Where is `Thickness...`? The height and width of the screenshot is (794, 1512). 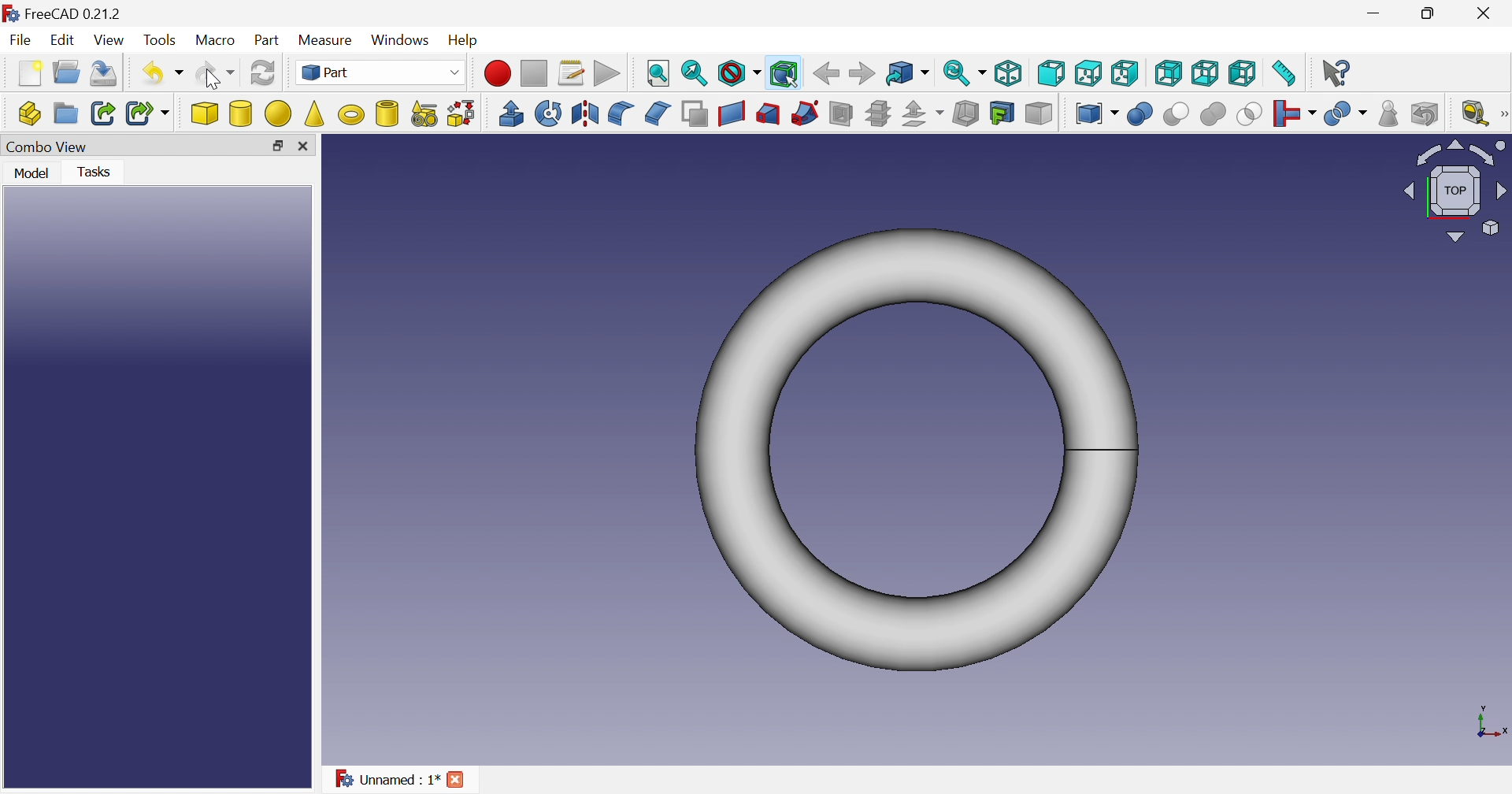
Thickness... is located at coordinates (964, 113).